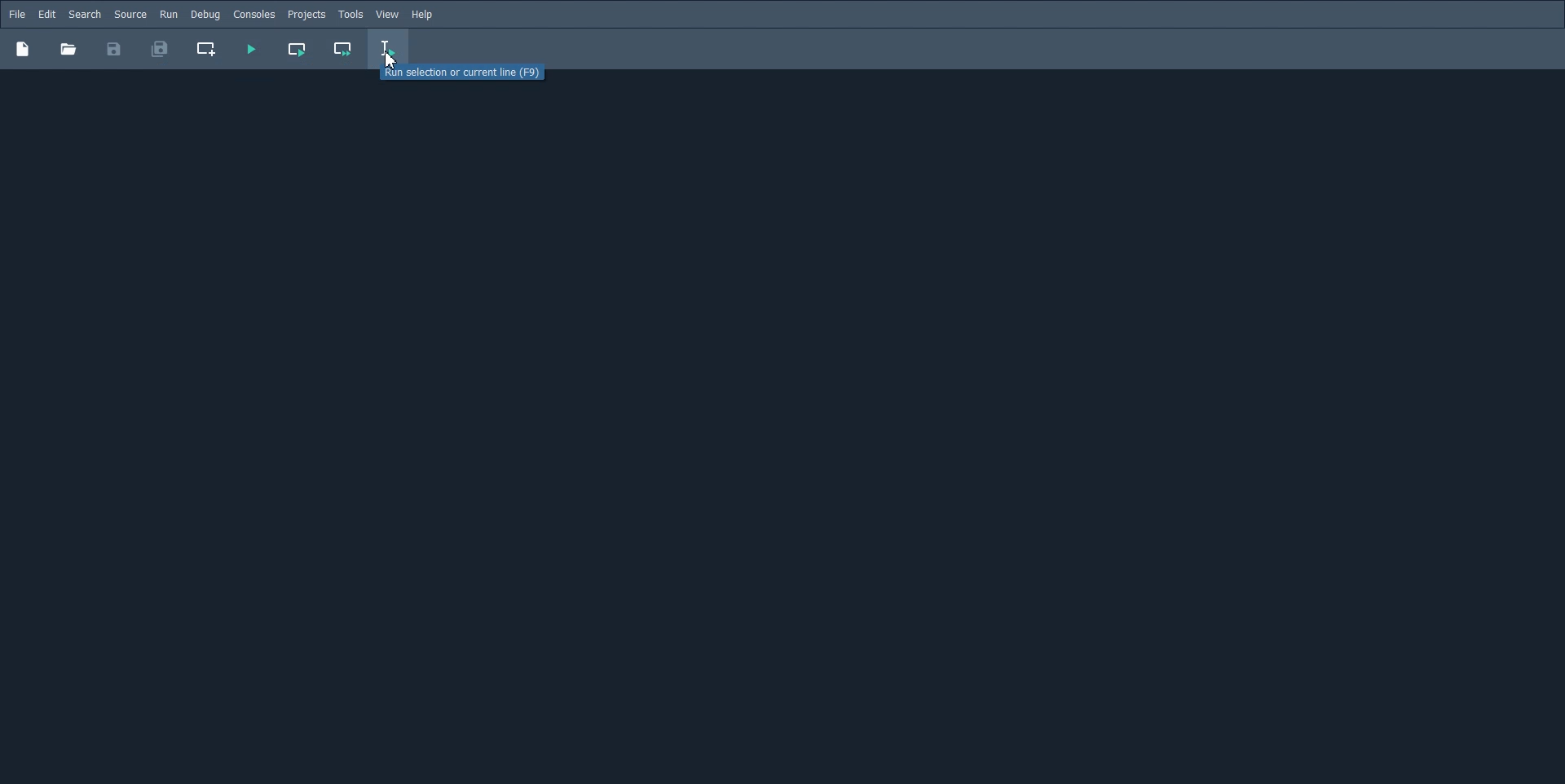 The height and width of the screenshot is (784, 1565). I want to click on Run, so click(169, 14).